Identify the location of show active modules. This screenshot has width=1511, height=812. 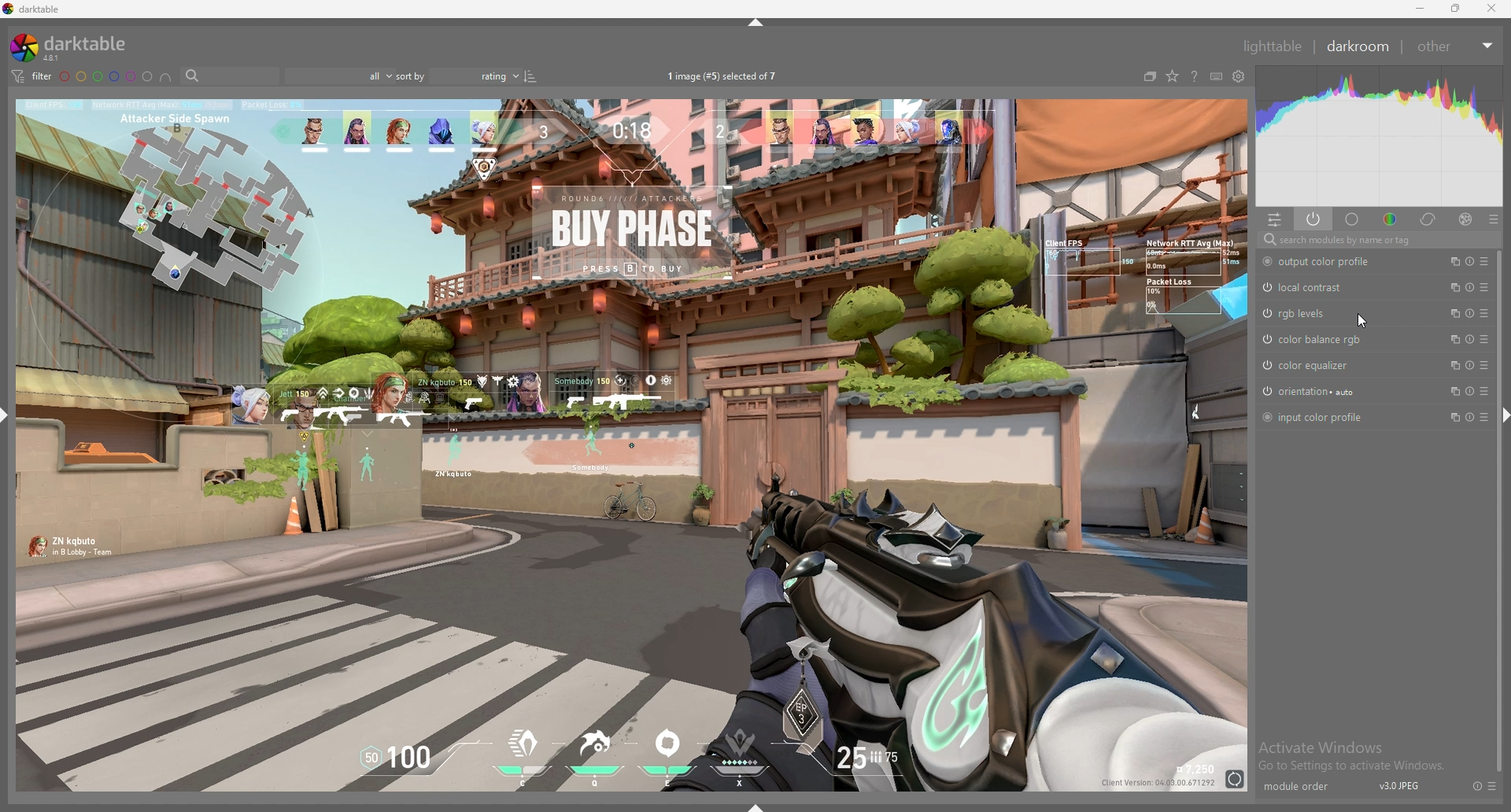
(1313, 219).